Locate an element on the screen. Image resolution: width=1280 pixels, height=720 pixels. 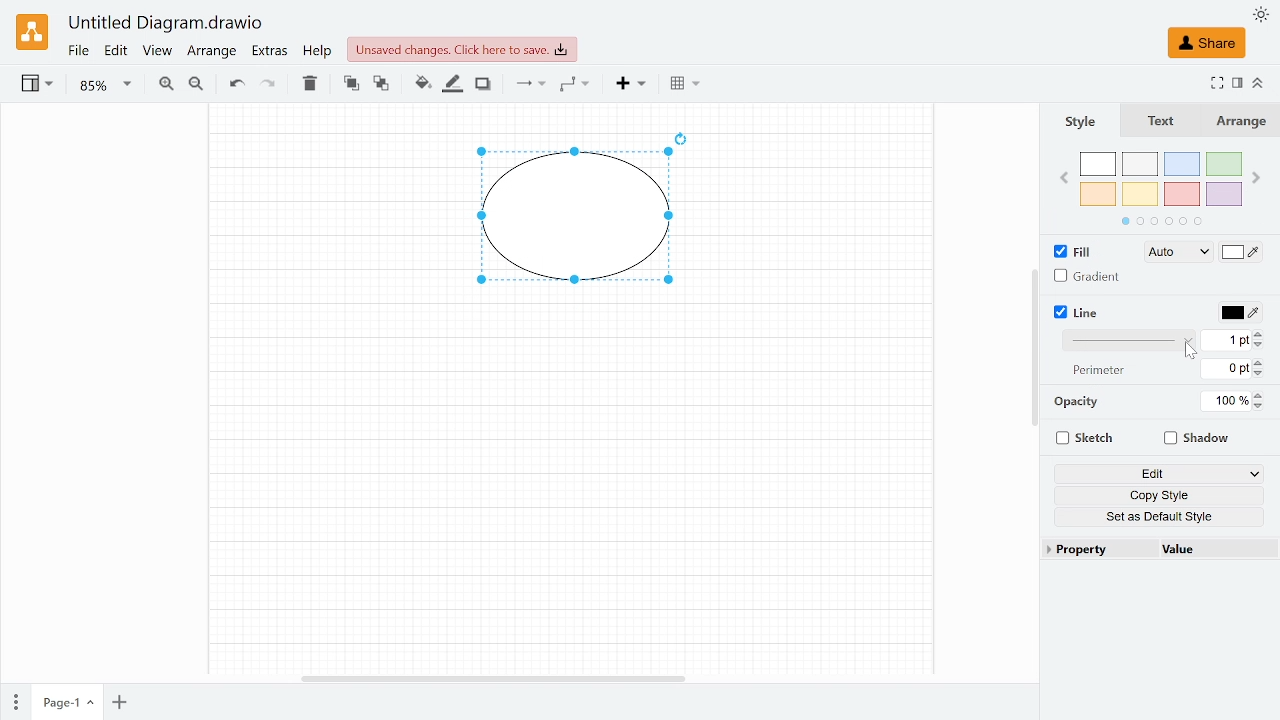
Table is located at coordinates (685, 86).